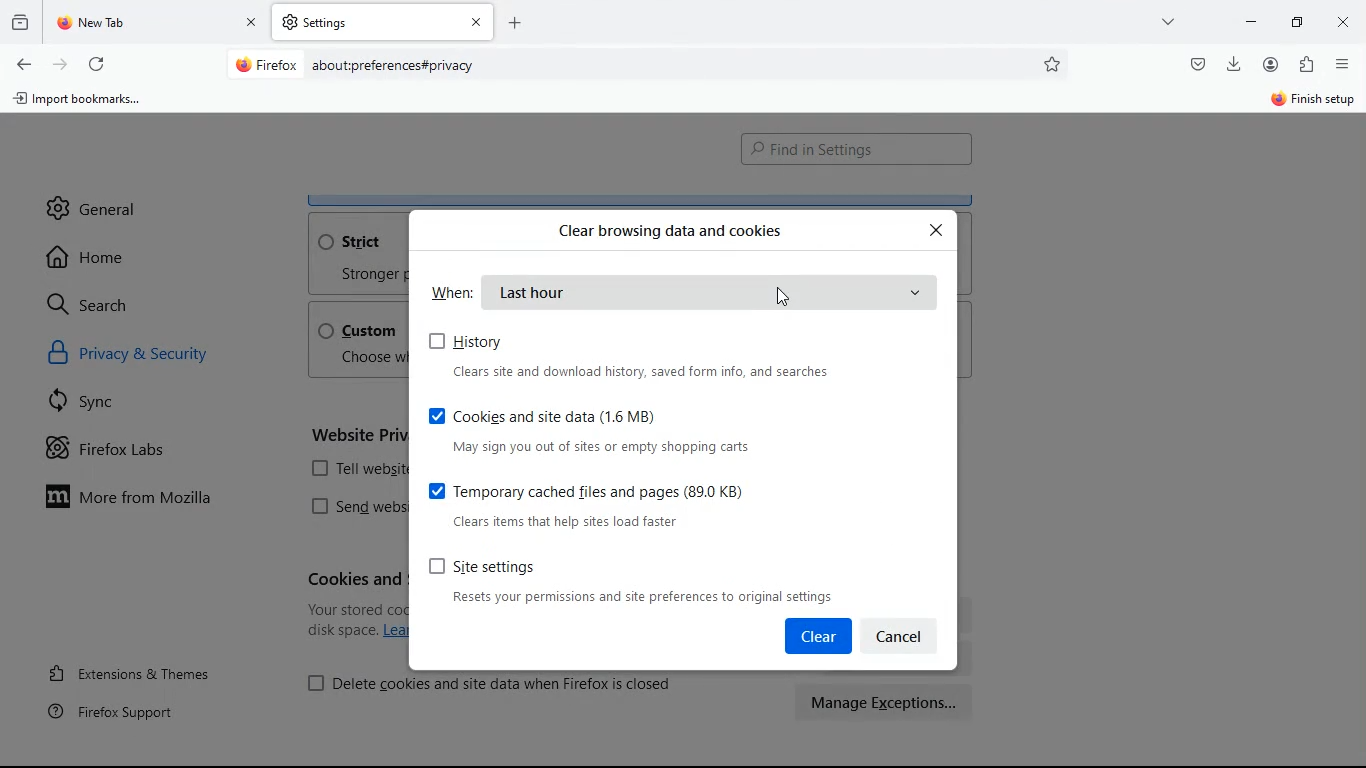 The width and height of the screenshot is (1366, 768). I want to click on firefox labs, so click(126, 453).